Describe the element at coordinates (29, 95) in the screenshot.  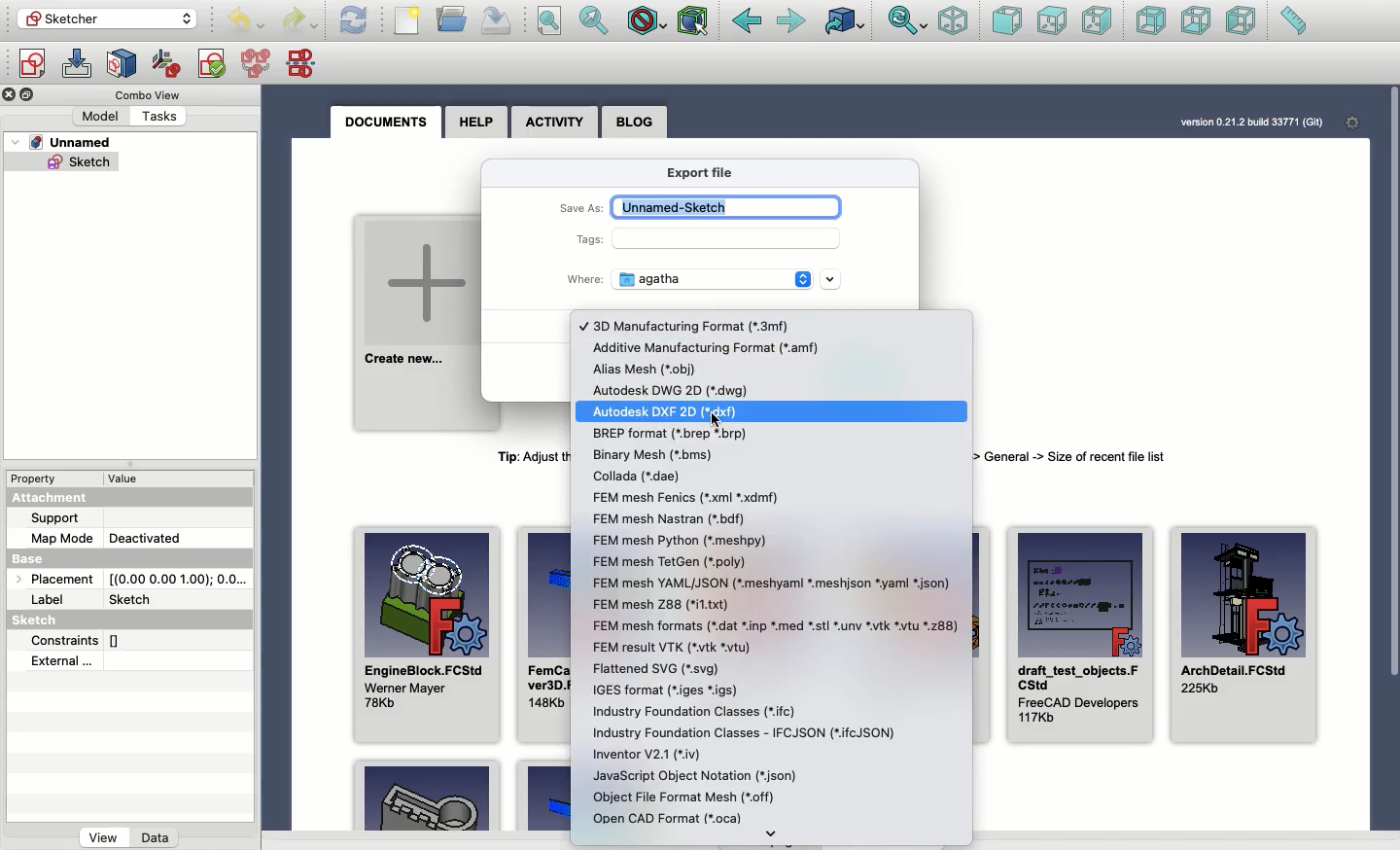
I see `Collapse` at that location.